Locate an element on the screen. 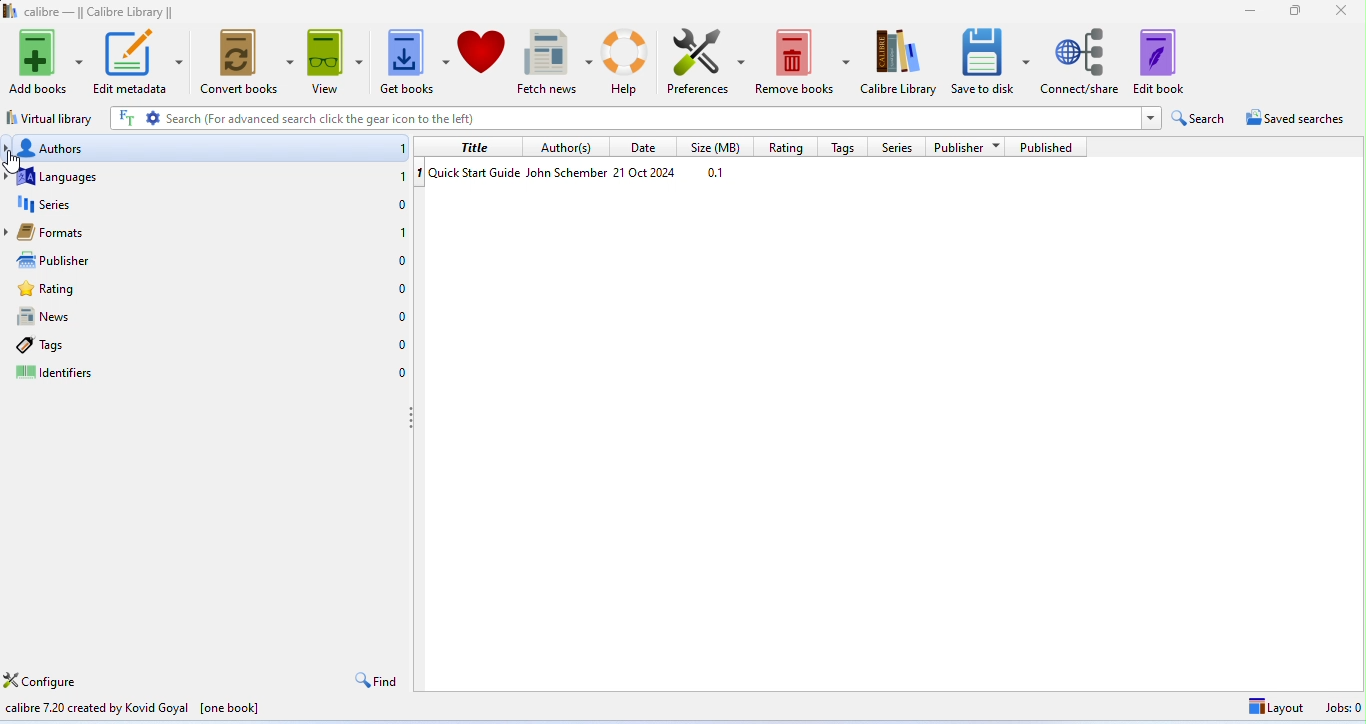 The width and height of the screenshot is (1366, 724). jobs is located at coordinates (1343, 708).